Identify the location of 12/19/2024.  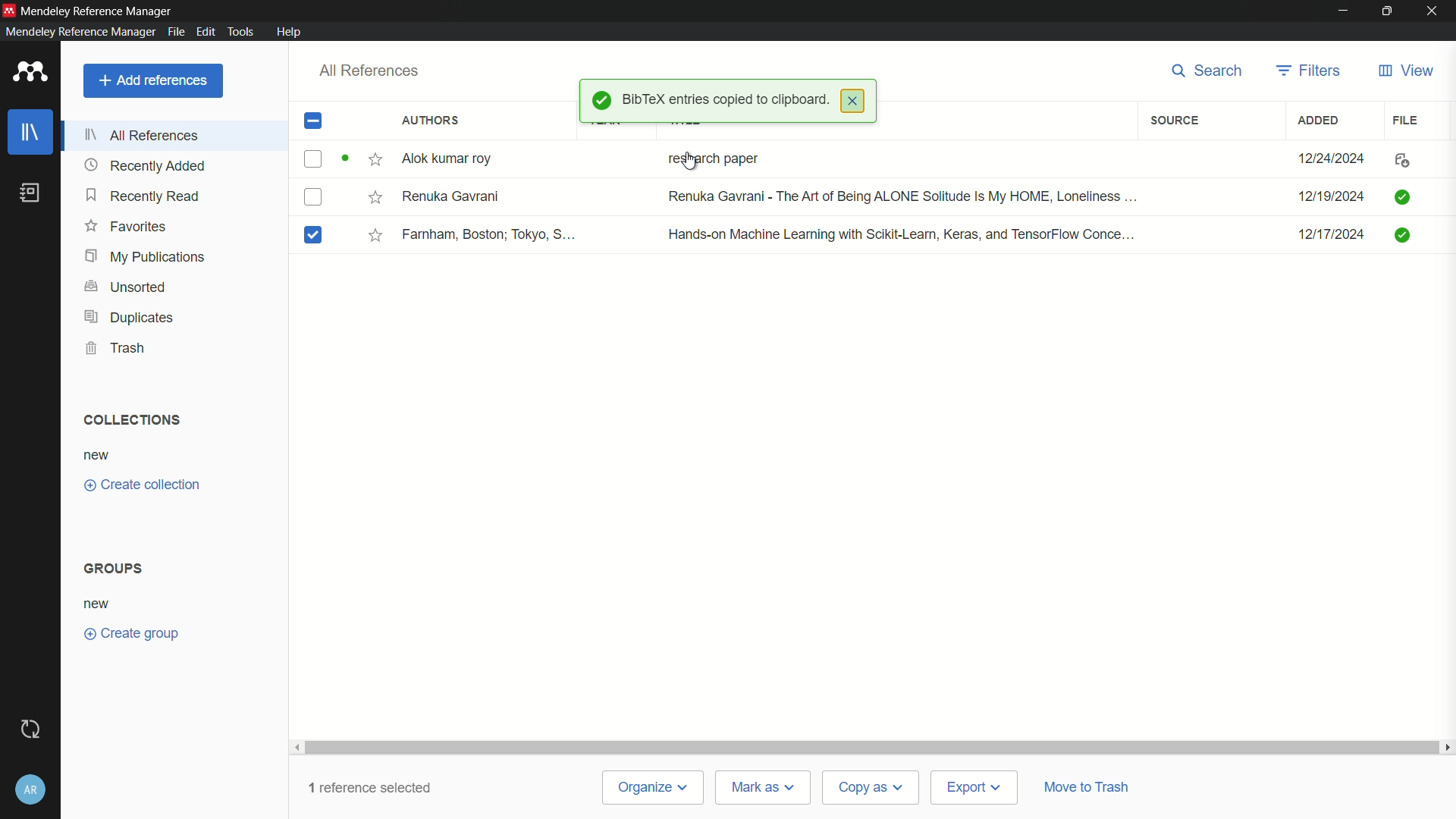
(1329, 195).